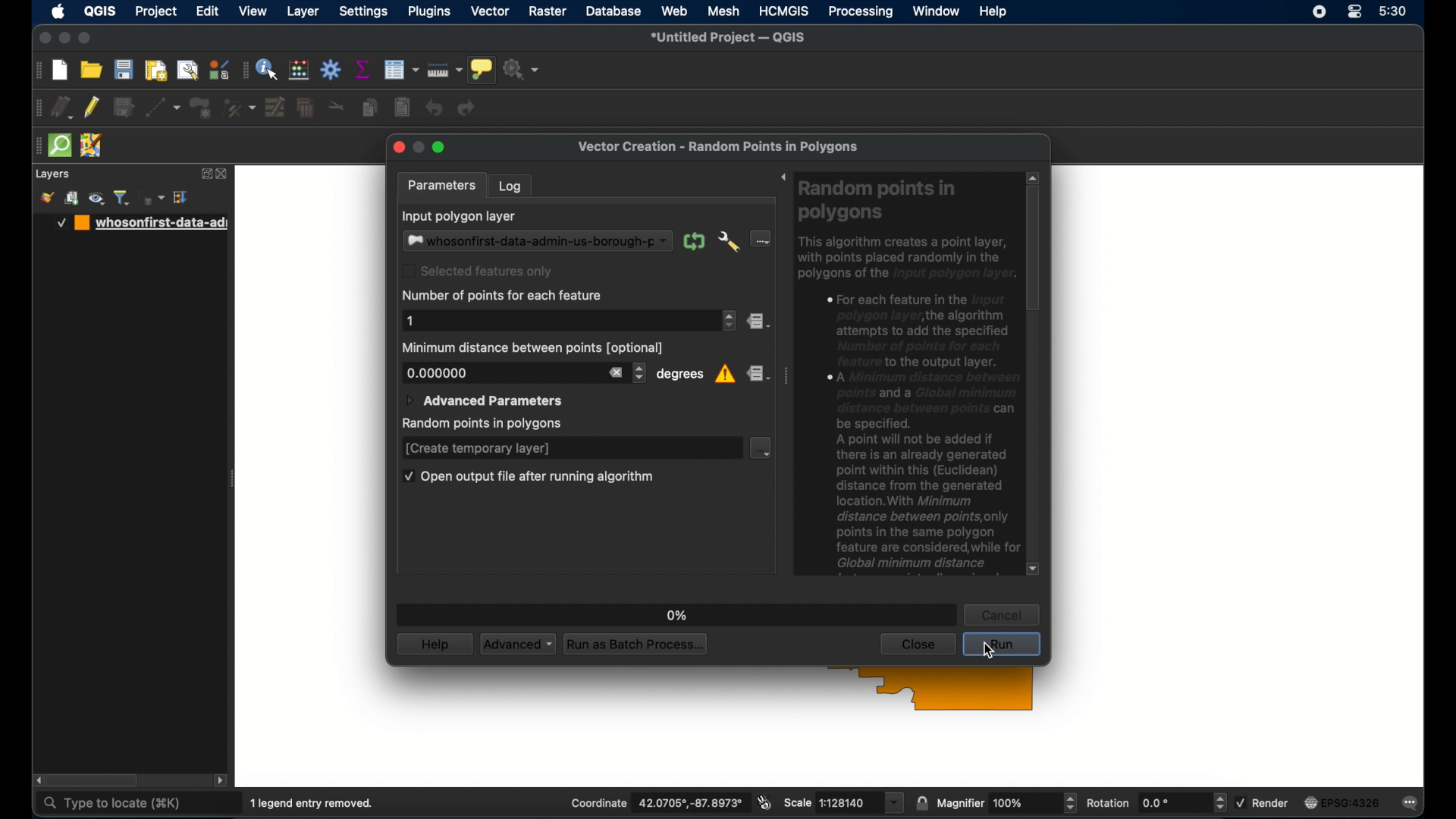 Image resolution: width=1456 pixels, height=819 pixels. What do you see at coordinates (220, 68) in the screenshot?
I see `style manager` at bounding box center [220, 68].